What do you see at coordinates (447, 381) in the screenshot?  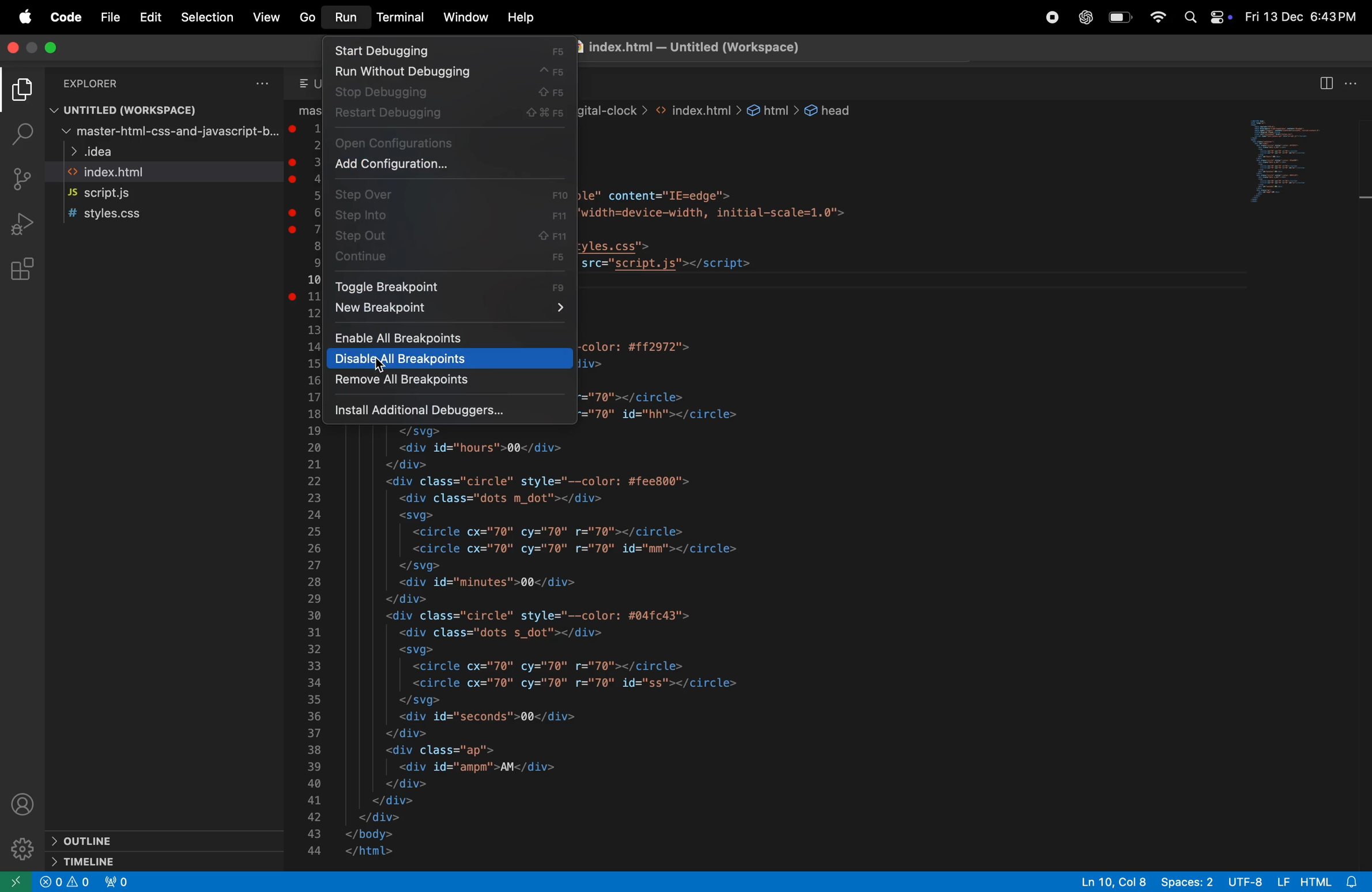 I see `remove all ` at bounding box center [447, 381].